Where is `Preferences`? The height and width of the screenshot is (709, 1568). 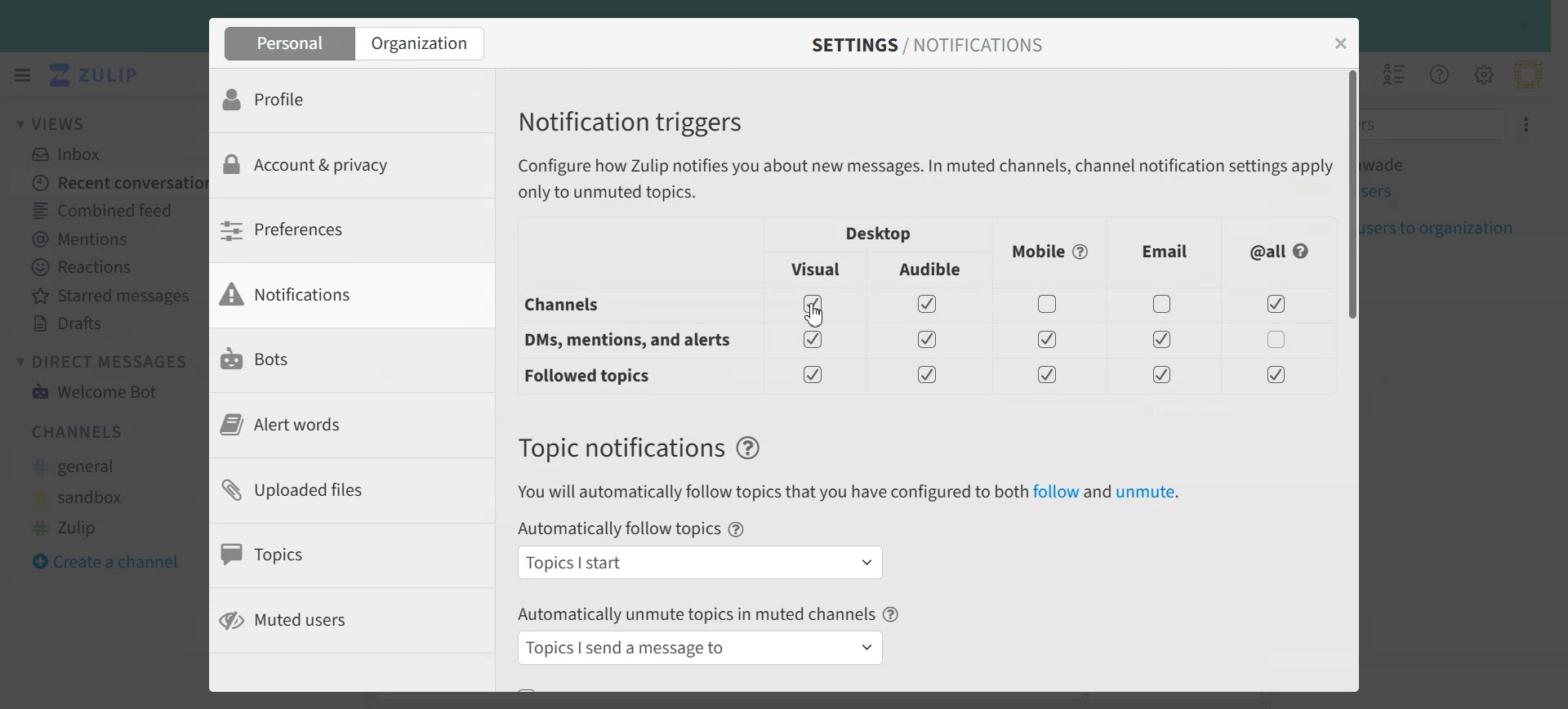
Preferences is located at coordinates (330, 230).